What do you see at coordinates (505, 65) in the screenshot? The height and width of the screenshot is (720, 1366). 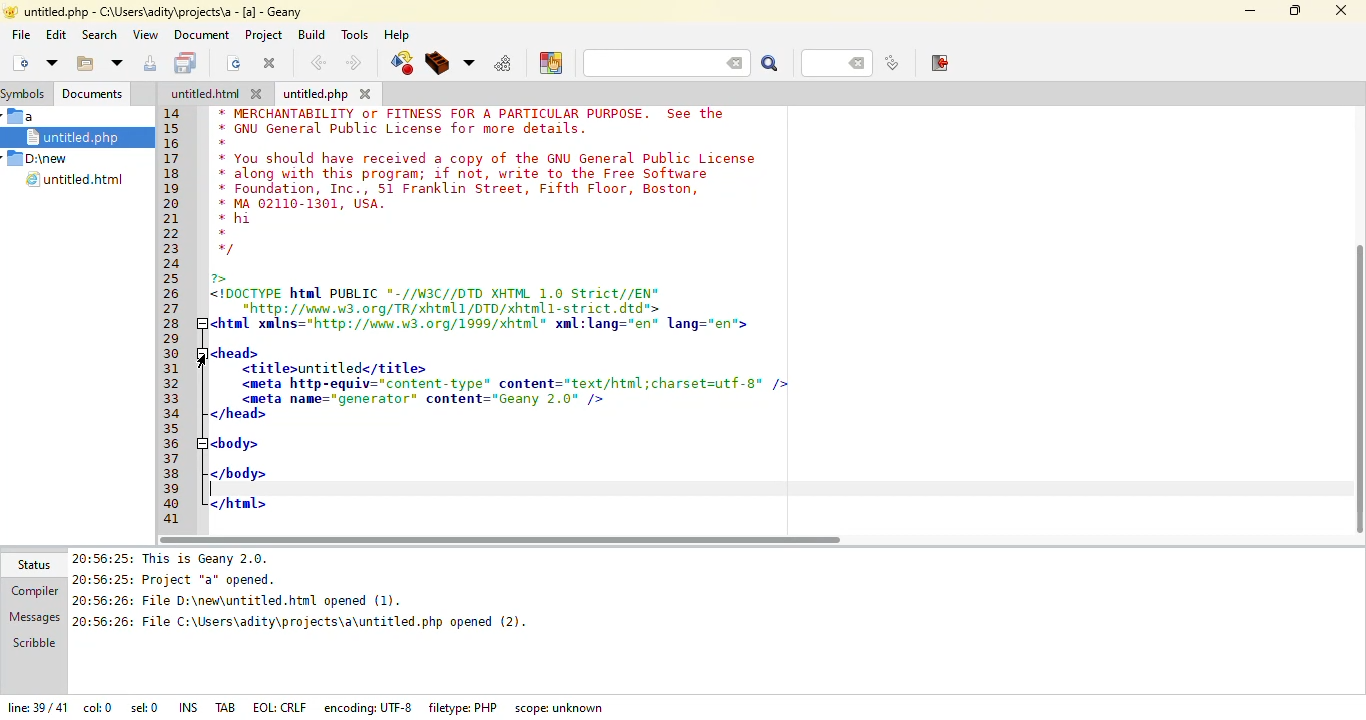 I see `run` at bounding box center [505, 65].